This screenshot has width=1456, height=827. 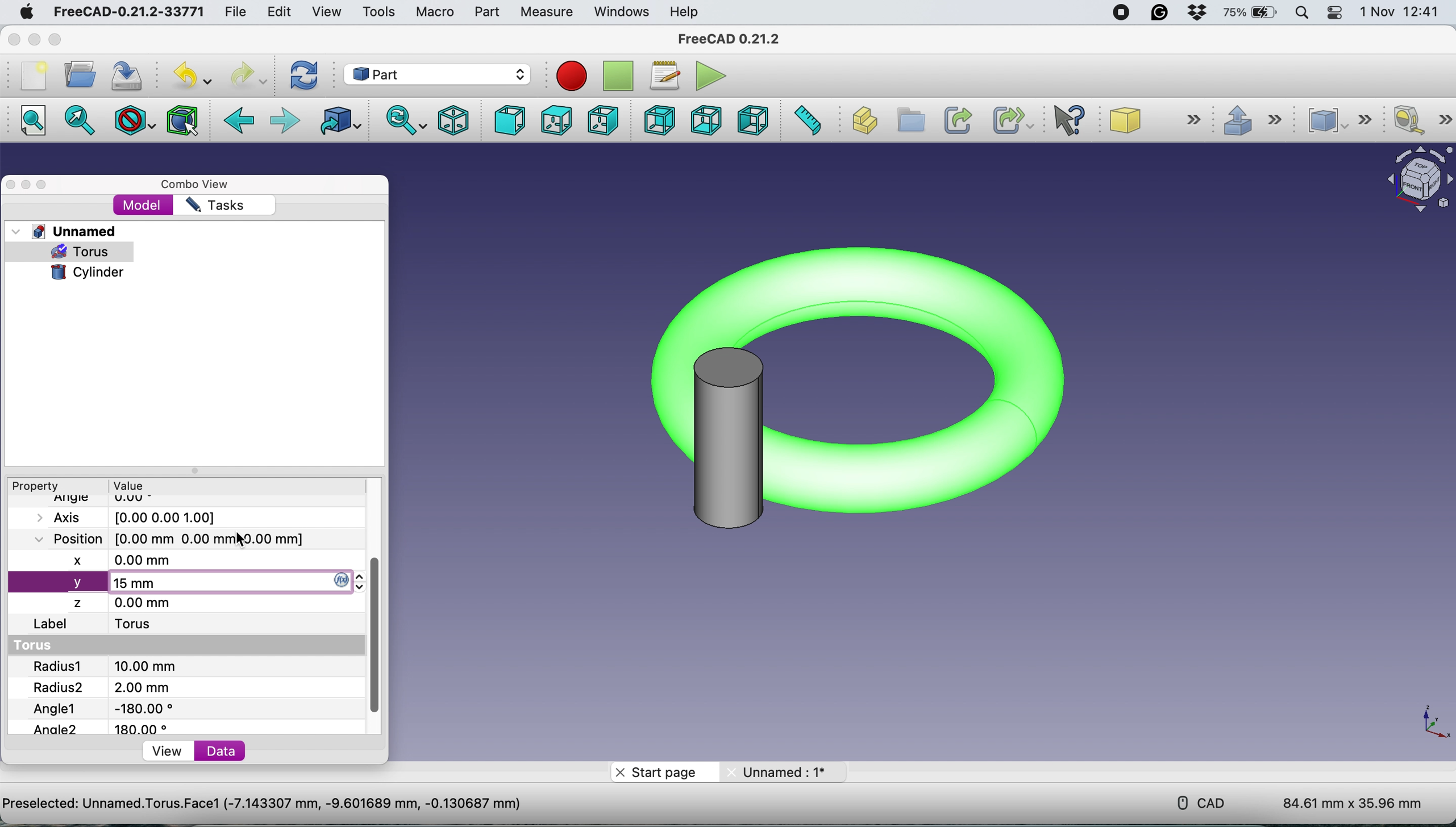 I want to click on value, so click(x=146, y=485).